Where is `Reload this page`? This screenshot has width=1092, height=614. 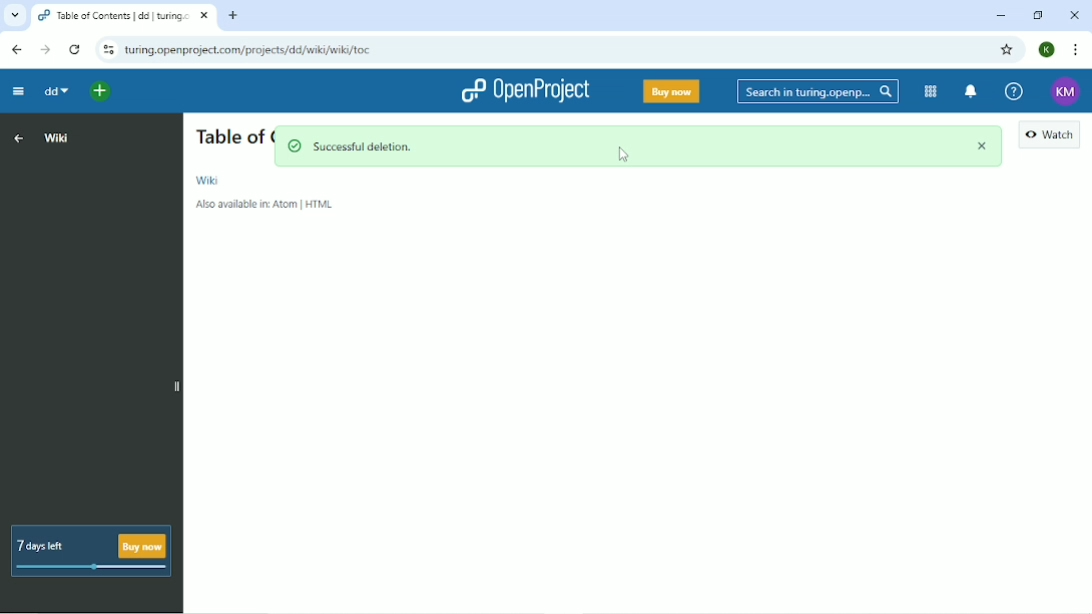
Reload this page is located at coordinates (73, 49).